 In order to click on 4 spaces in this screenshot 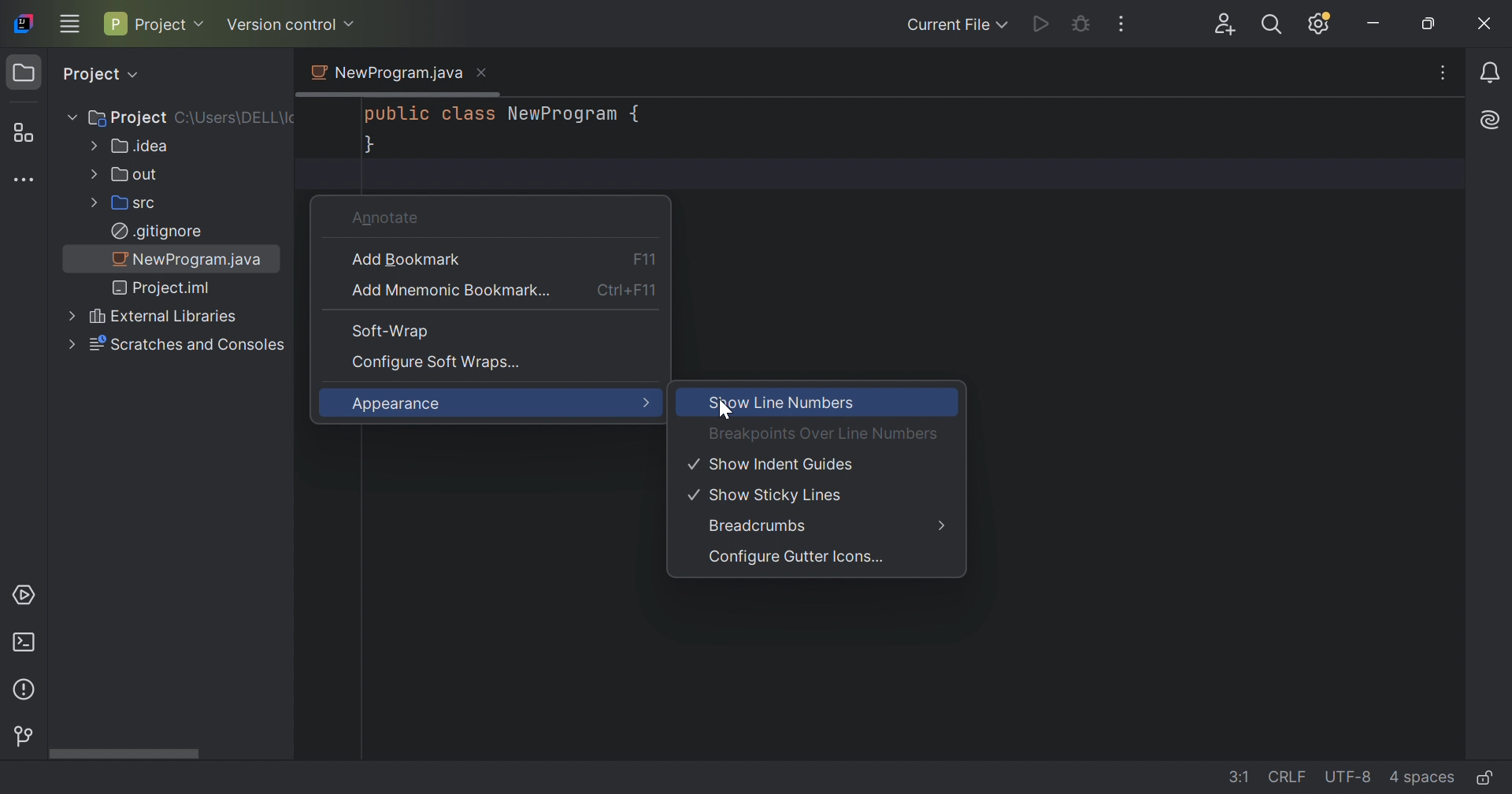, I will do `click(1420, 775)`.